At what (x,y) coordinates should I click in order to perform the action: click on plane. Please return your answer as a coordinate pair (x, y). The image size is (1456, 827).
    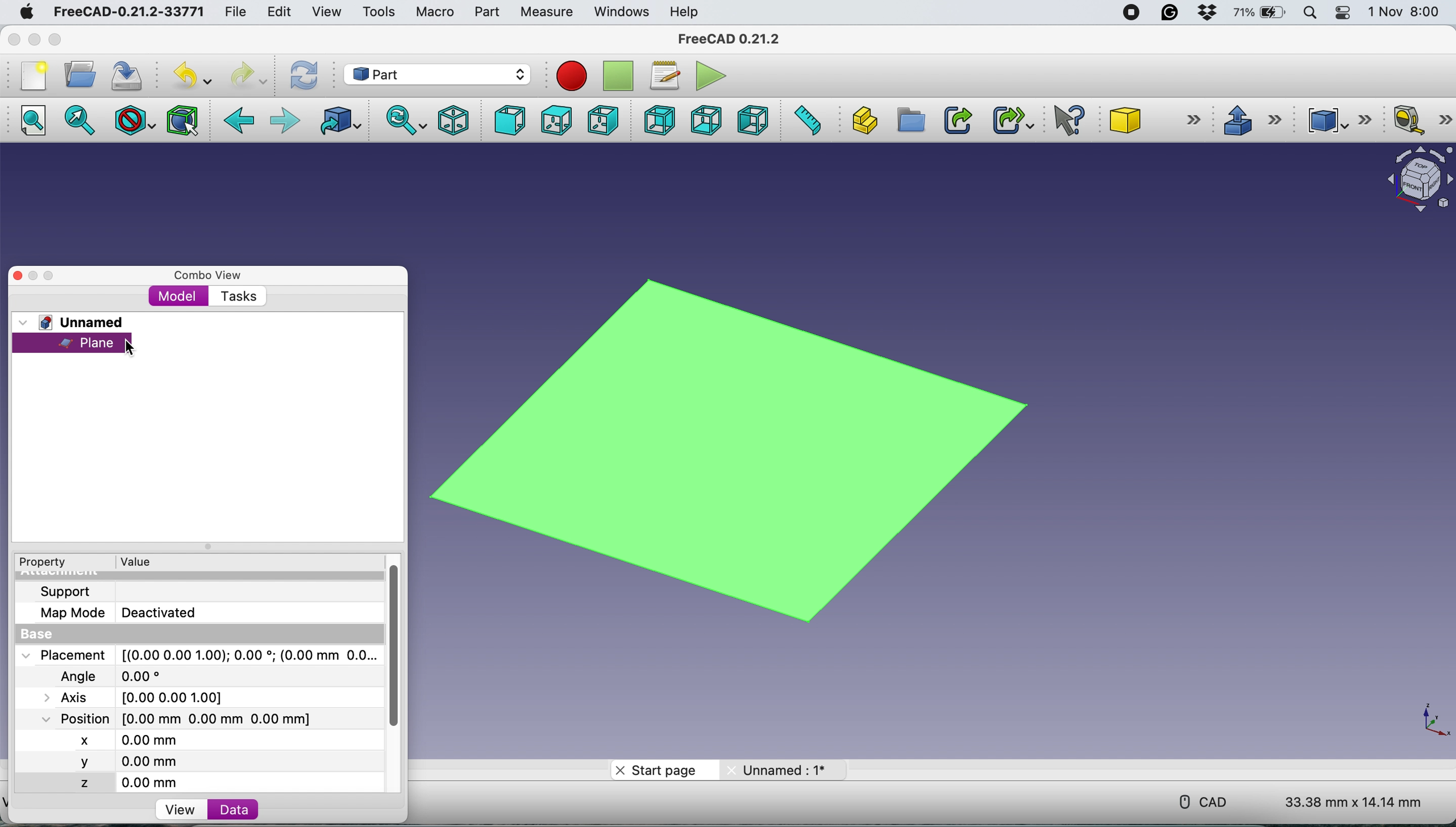
    Looking at the image, I should click on (726, 449).